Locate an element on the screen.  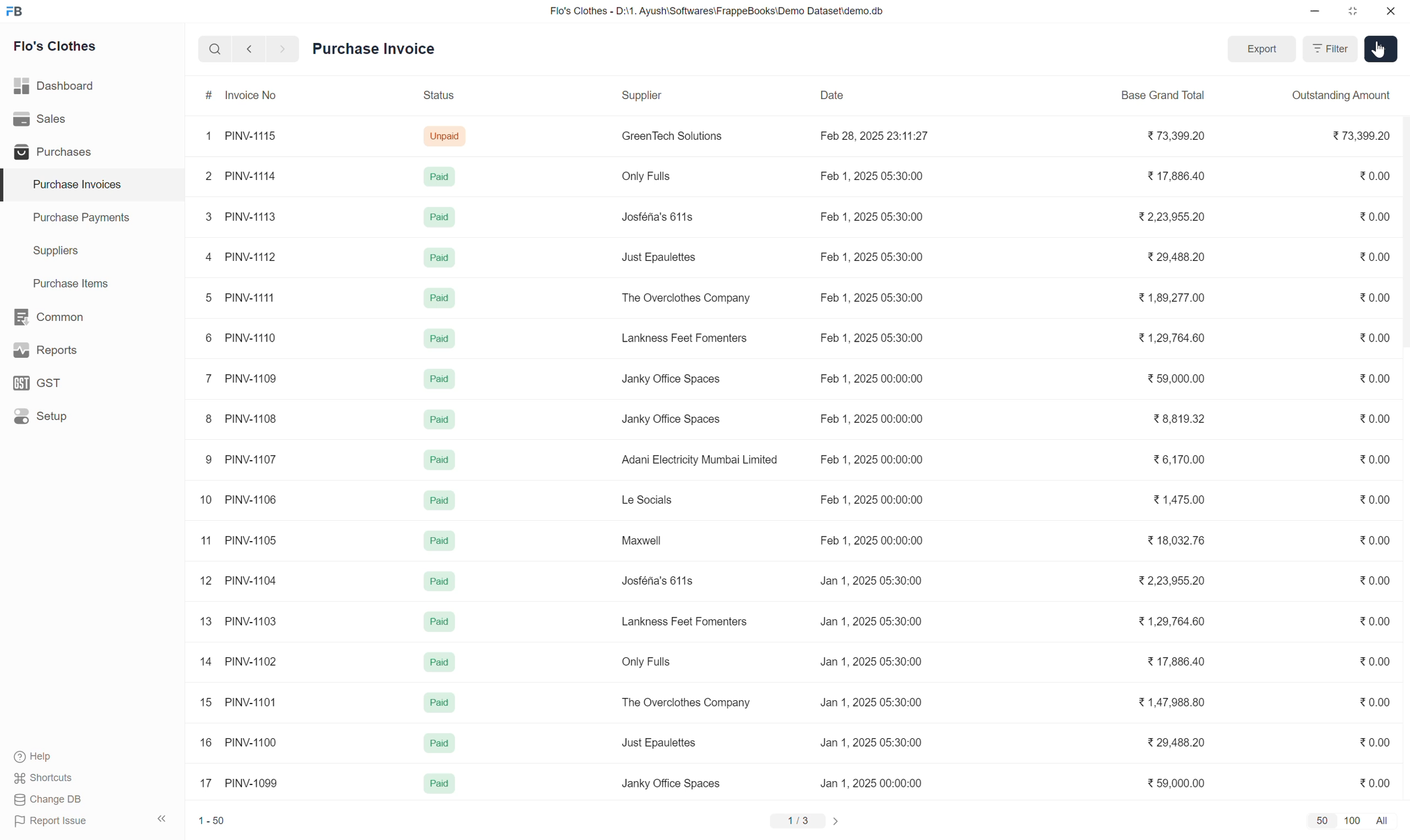
1,29,764.60 is located at coordinates (1165, 342).